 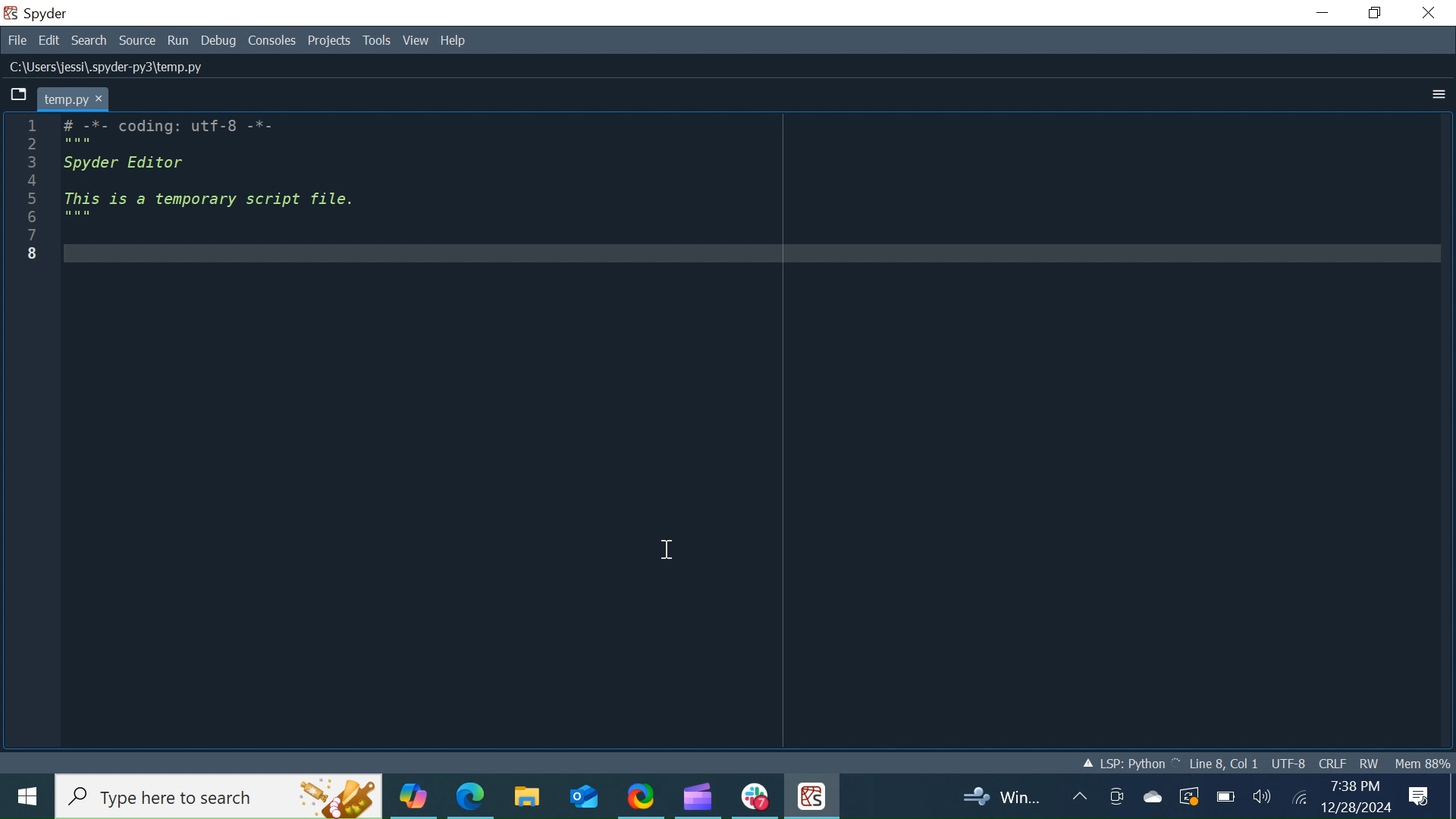 I want to click on Restart Update, so click(x=1188, y=797).